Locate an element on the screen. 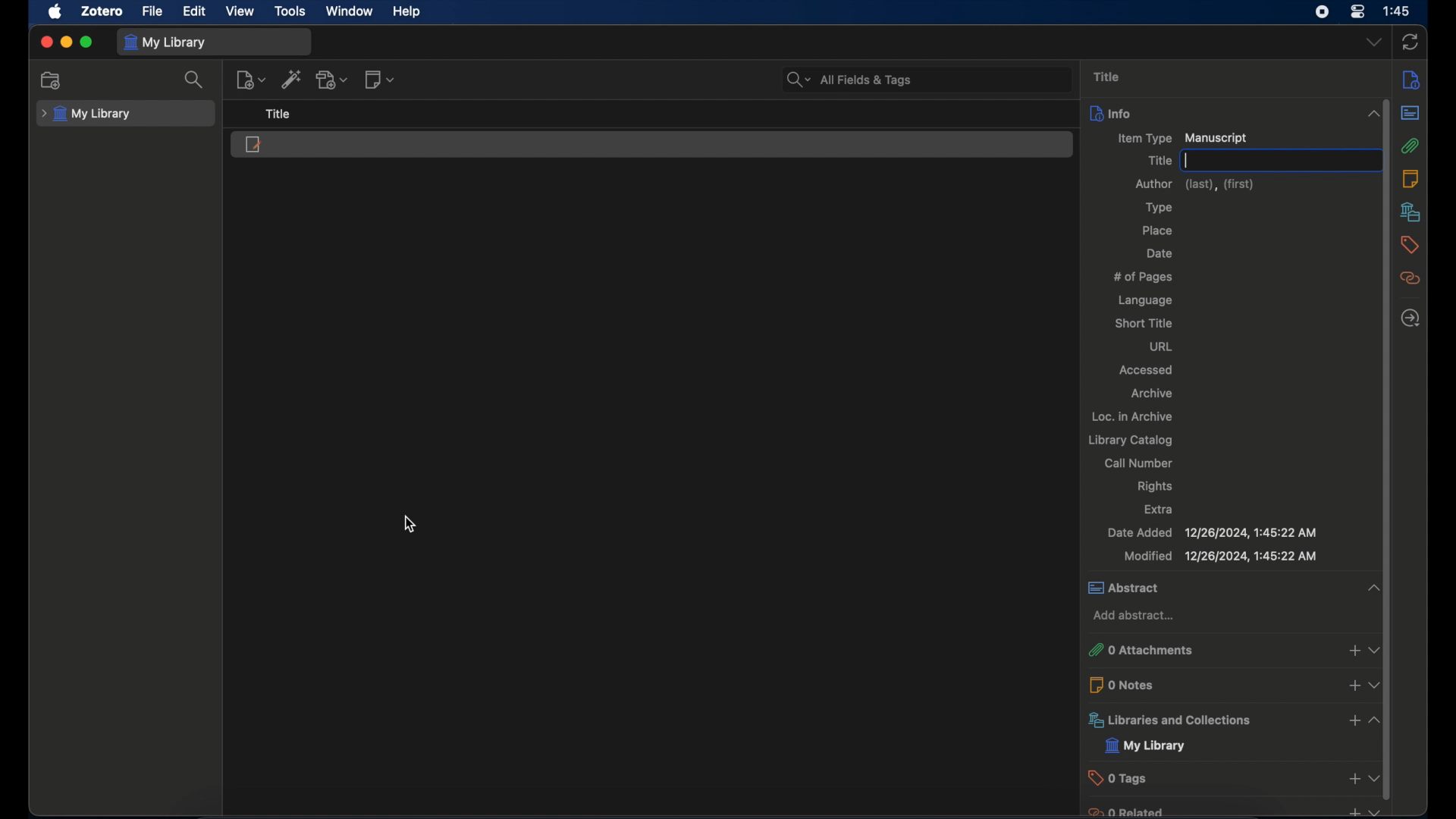 The image size is (1456, 819). extra is located at coordinates (1160, 509).